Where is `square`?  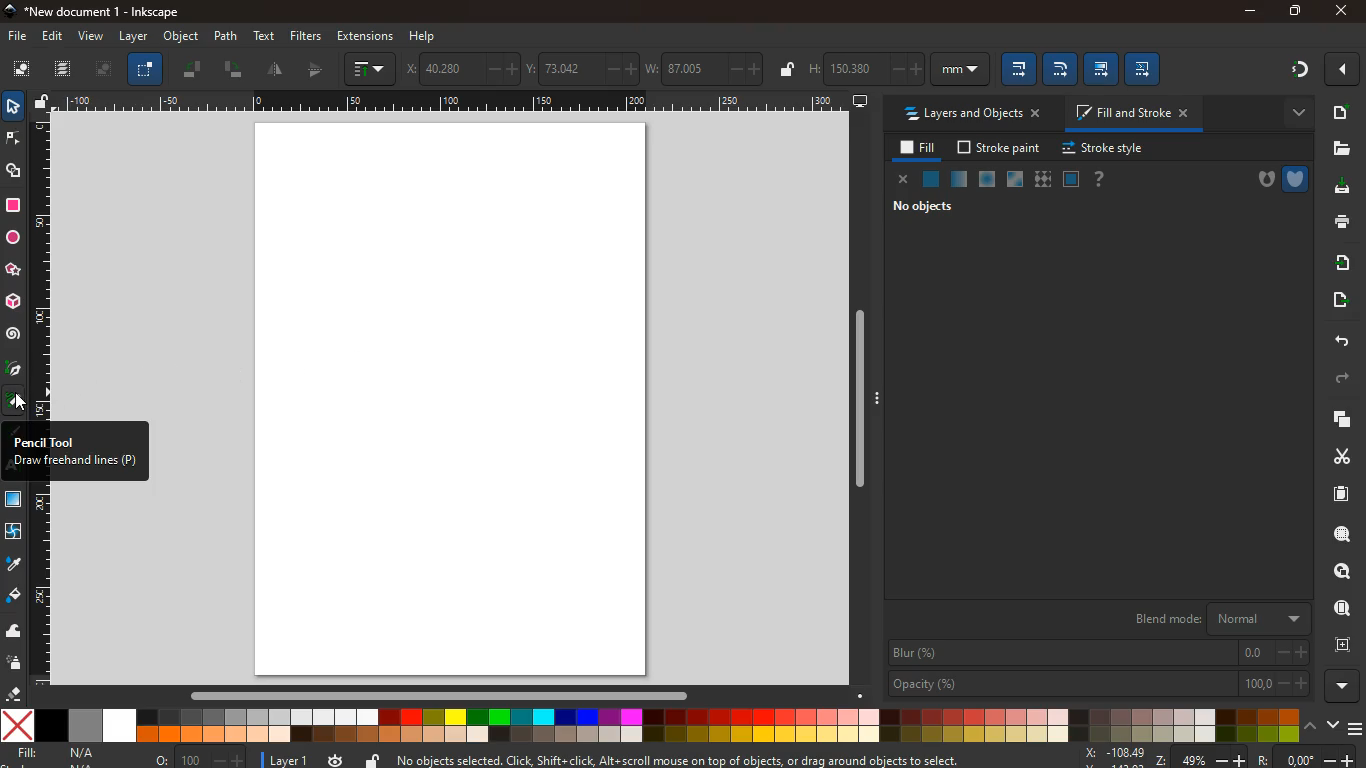 square is located at coordinates (13, 204).